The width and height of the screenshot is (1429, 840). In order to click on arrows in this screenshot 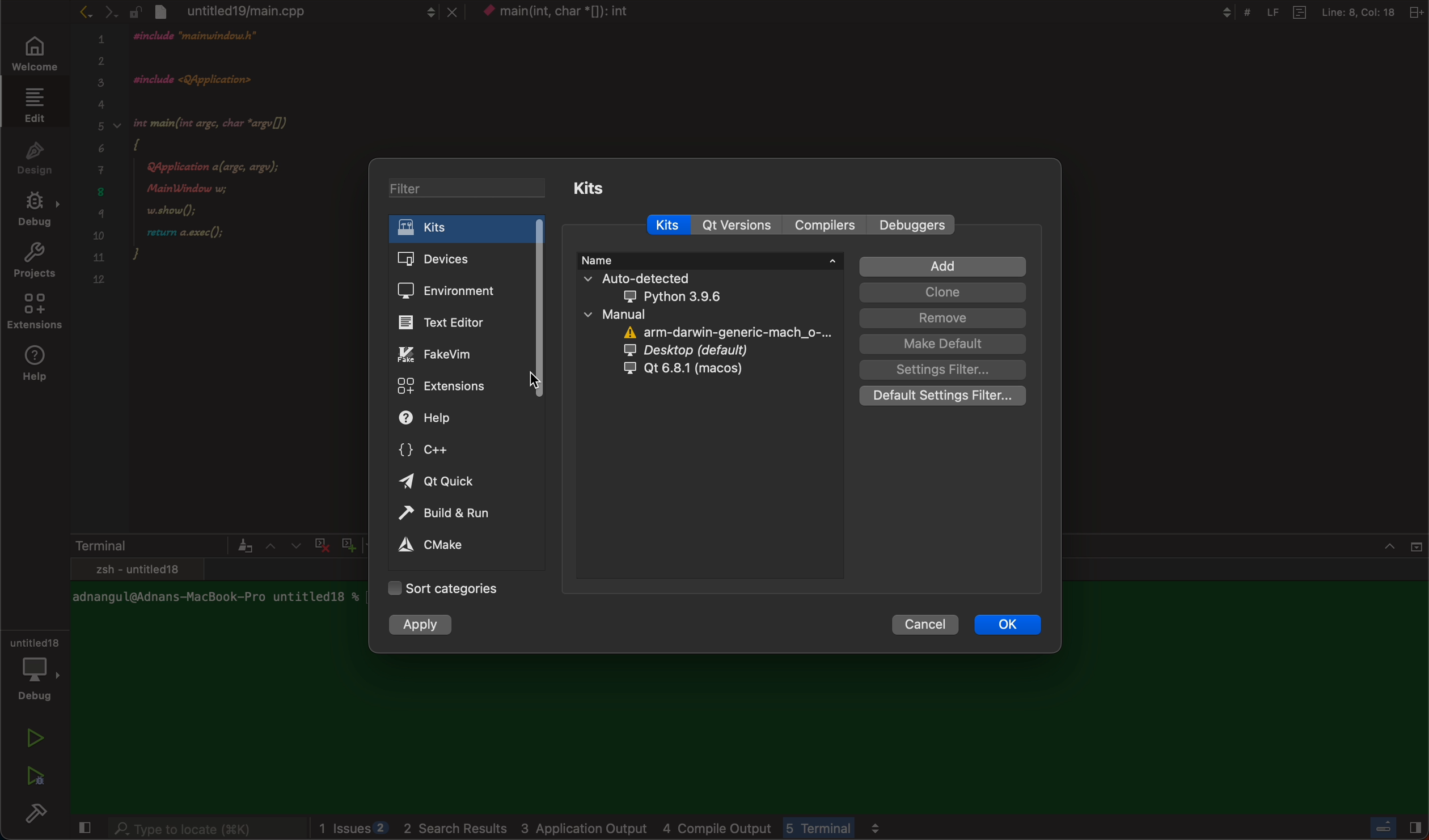, I will do `click(282, 545)`.